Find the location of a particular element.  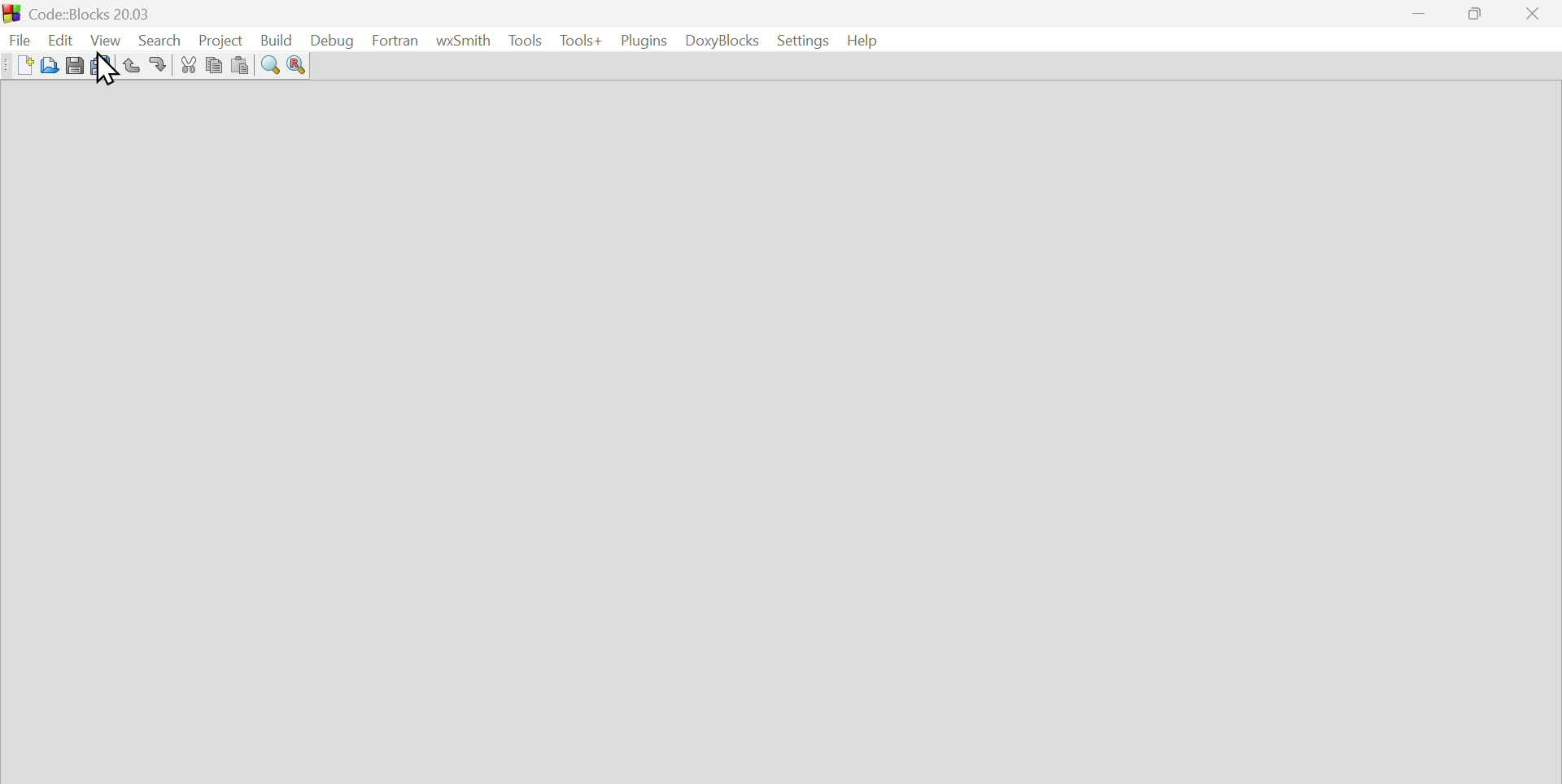

Plugins is located at coordinates (644, 40).